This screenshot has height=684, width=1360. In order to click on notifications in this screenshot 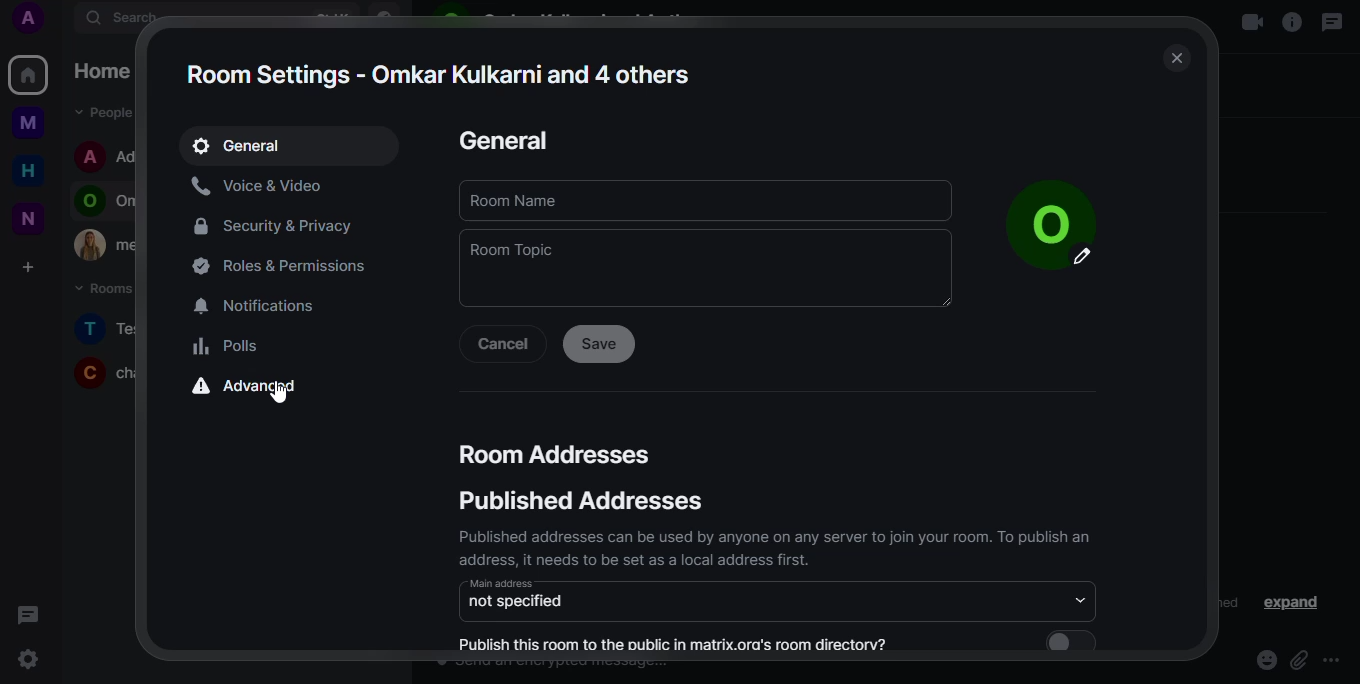, I will do `click(265, 307)`.